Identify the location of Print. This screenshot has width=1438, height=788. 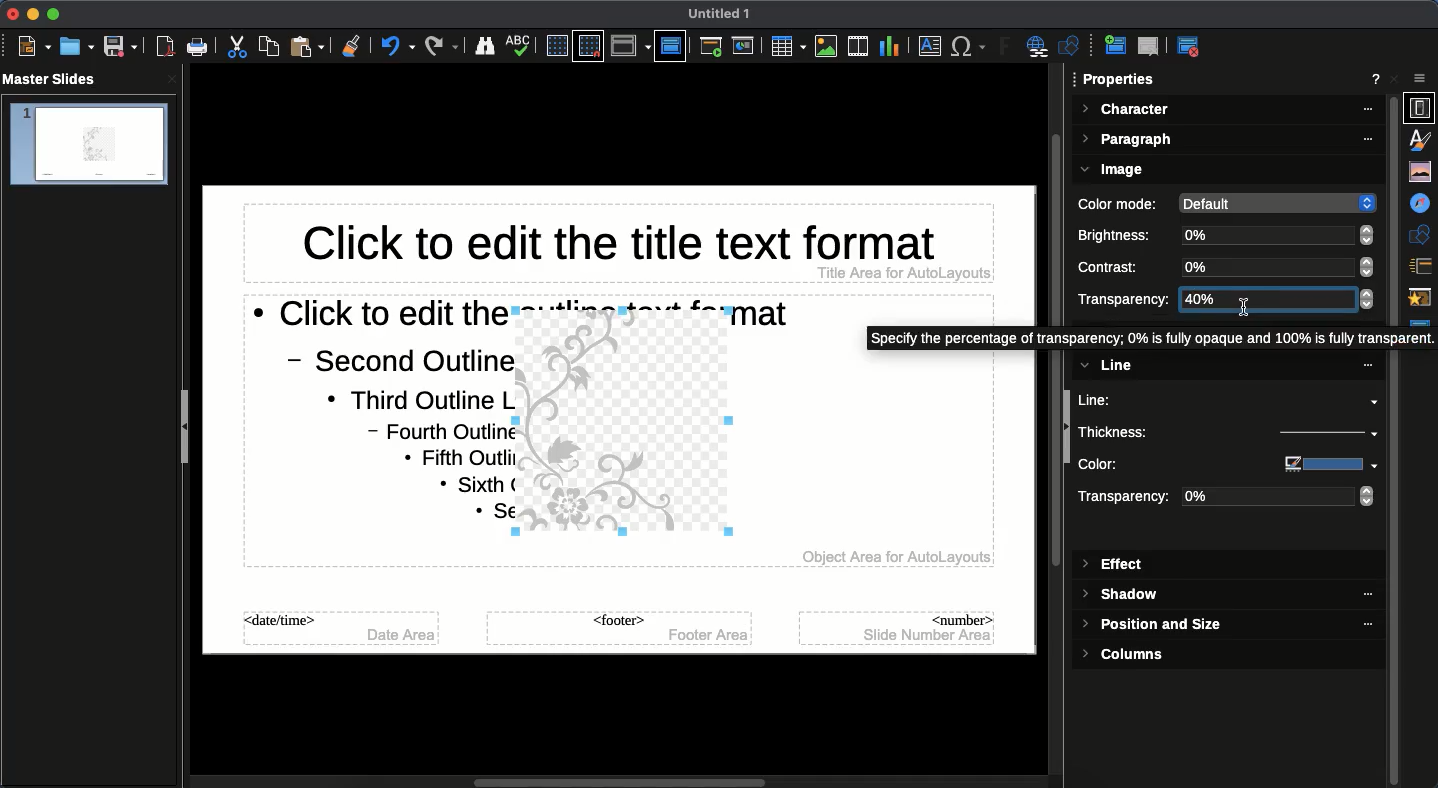
(198, 47).